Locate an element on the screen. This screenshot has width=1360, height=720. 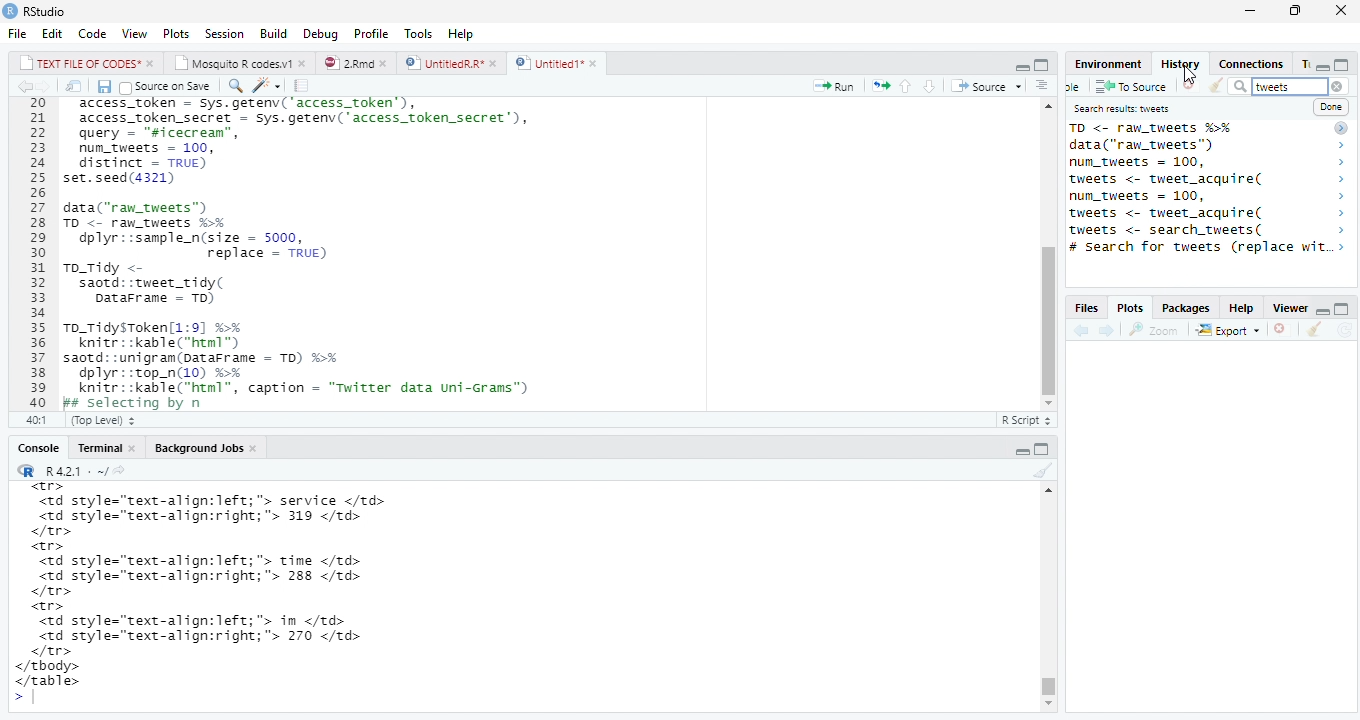
D | UntitledR.R* is located at coordinates (448, 63).